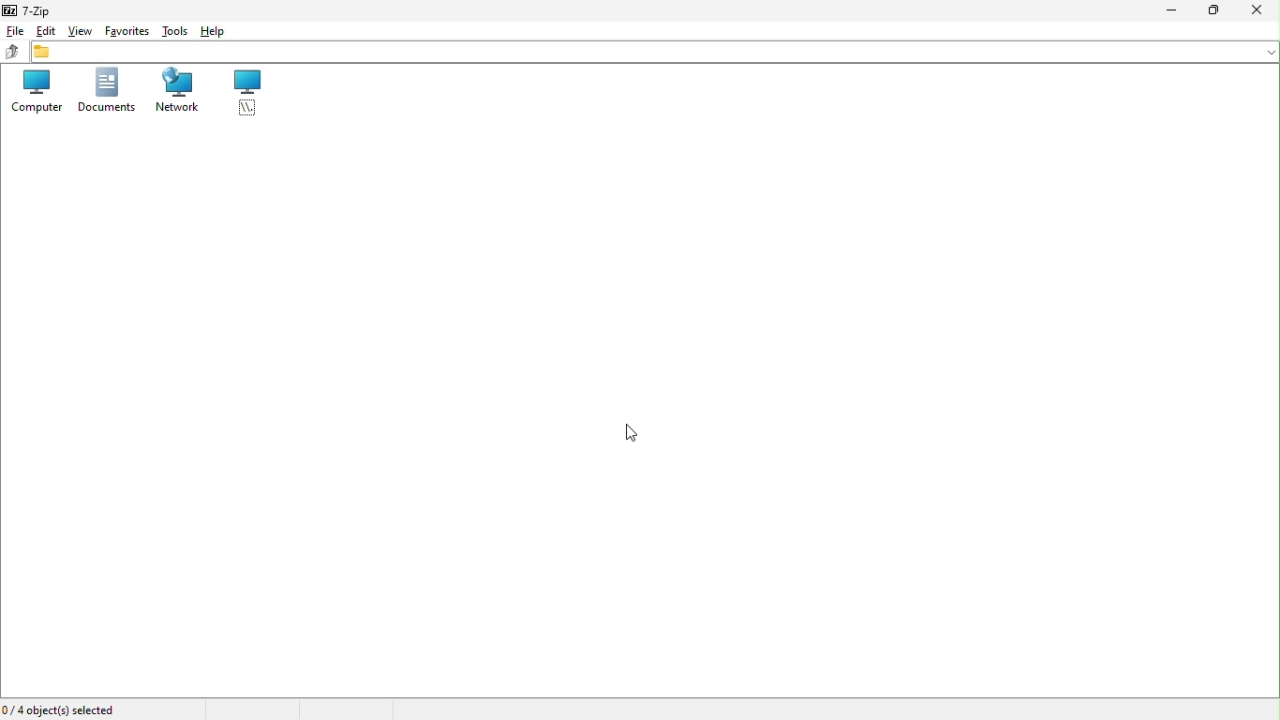 Image resolution: width=1280 pixels, height=720 pixels. What do you see at coordinates (174, 30) in the screenshot?
I see `Tools` at bounding box center [174, 30].